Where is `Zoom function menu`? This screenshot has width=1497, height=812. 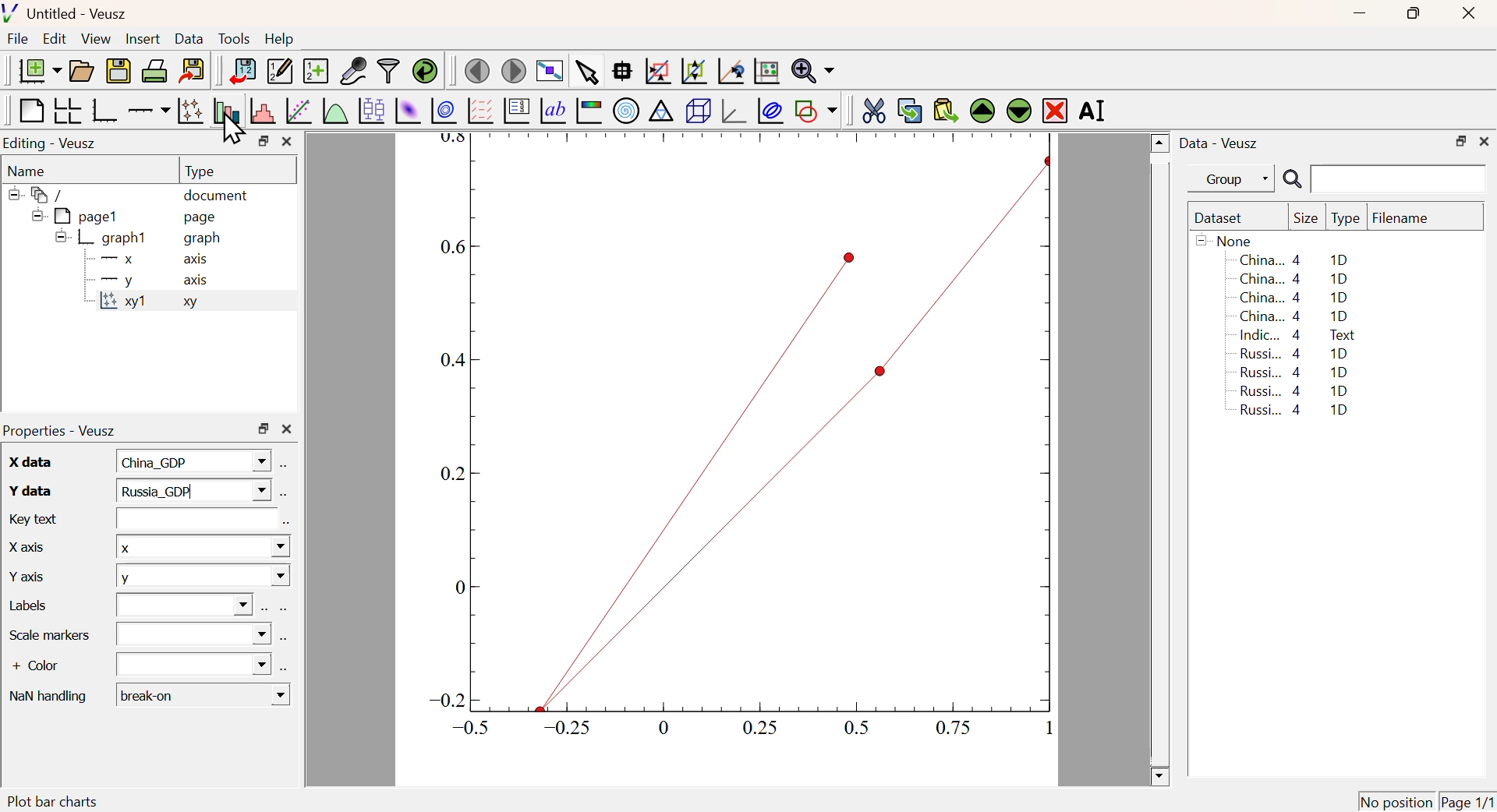
Zoom function menu is located at coordinates (813, 69).